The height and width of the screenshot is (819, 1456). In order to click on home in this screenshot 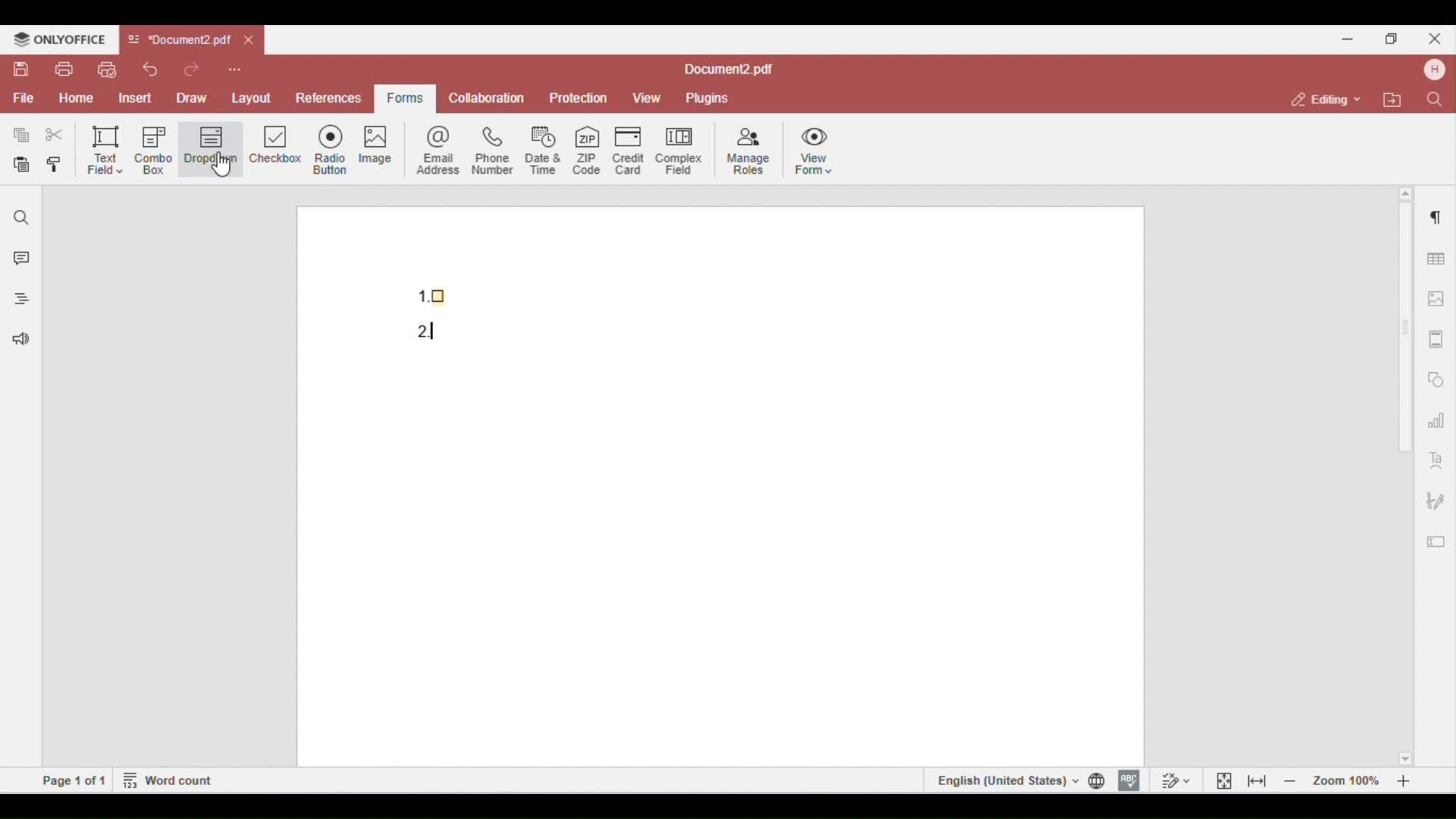, I will do `click(76, 99)`.